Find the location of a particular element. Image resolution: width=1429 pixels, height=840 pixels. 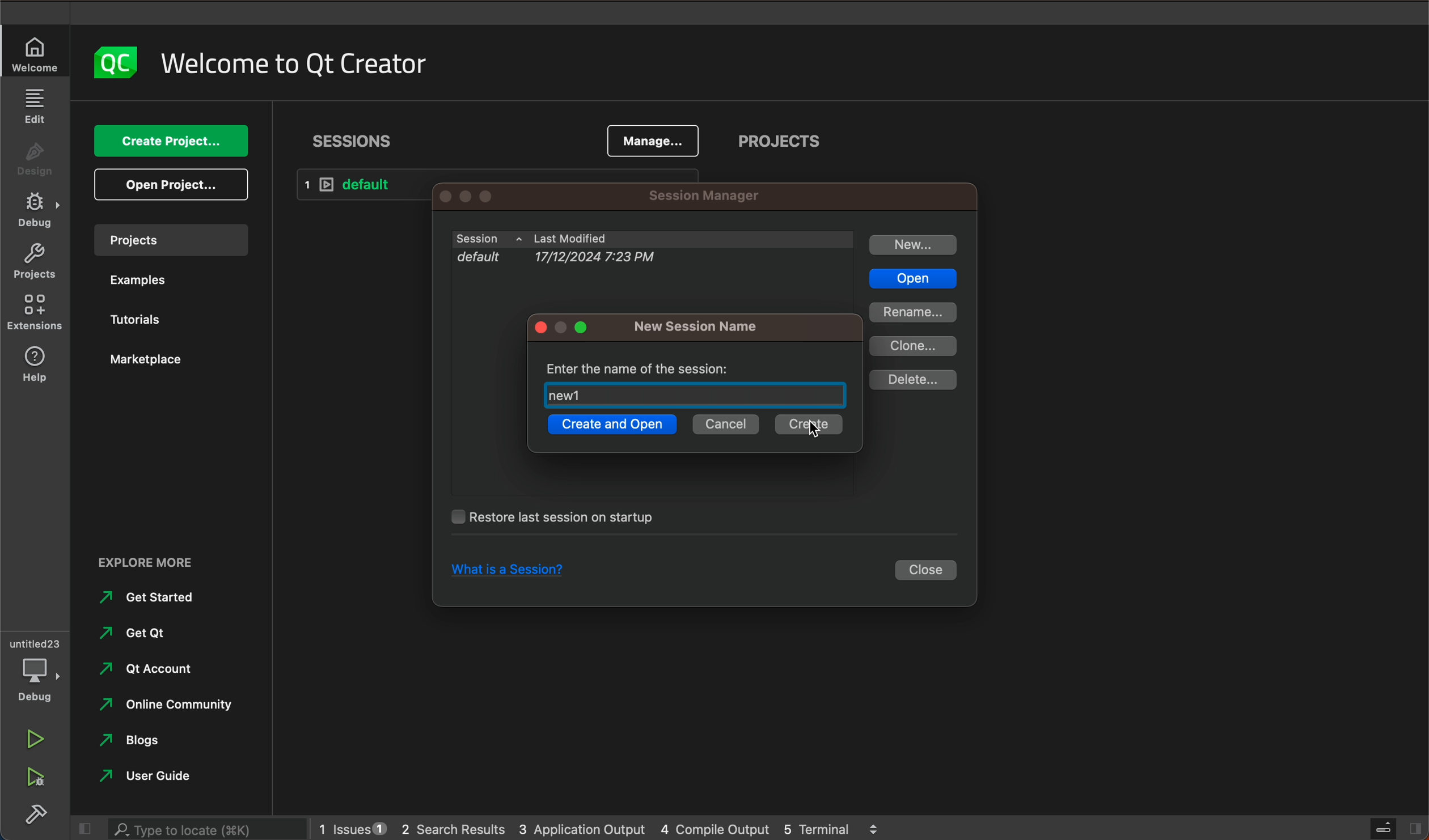

manage is located at coordinates (654, 139).